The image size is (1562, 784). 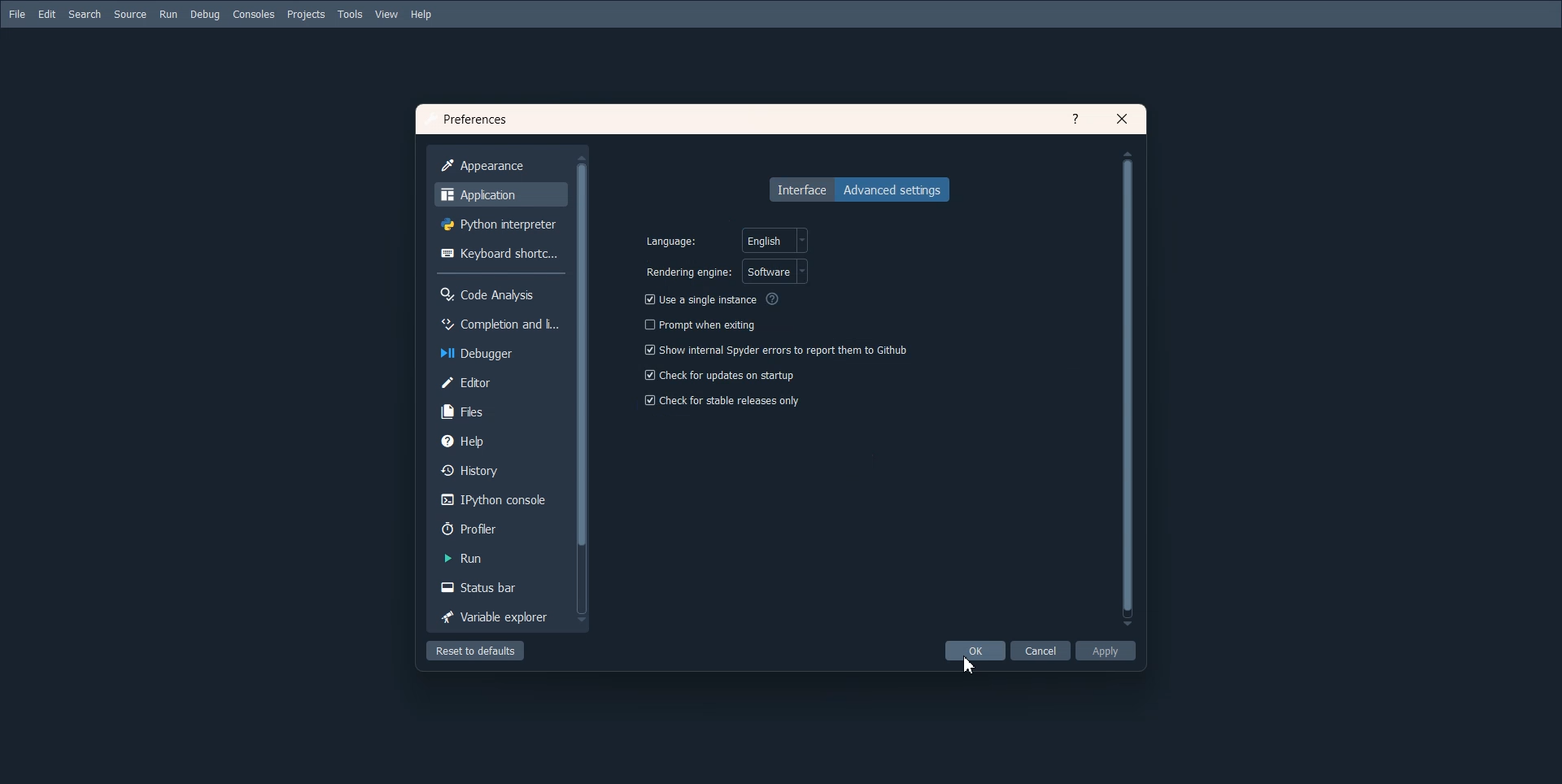 I want to click on Keyboard shortcuts, so click(x=497, y=255).